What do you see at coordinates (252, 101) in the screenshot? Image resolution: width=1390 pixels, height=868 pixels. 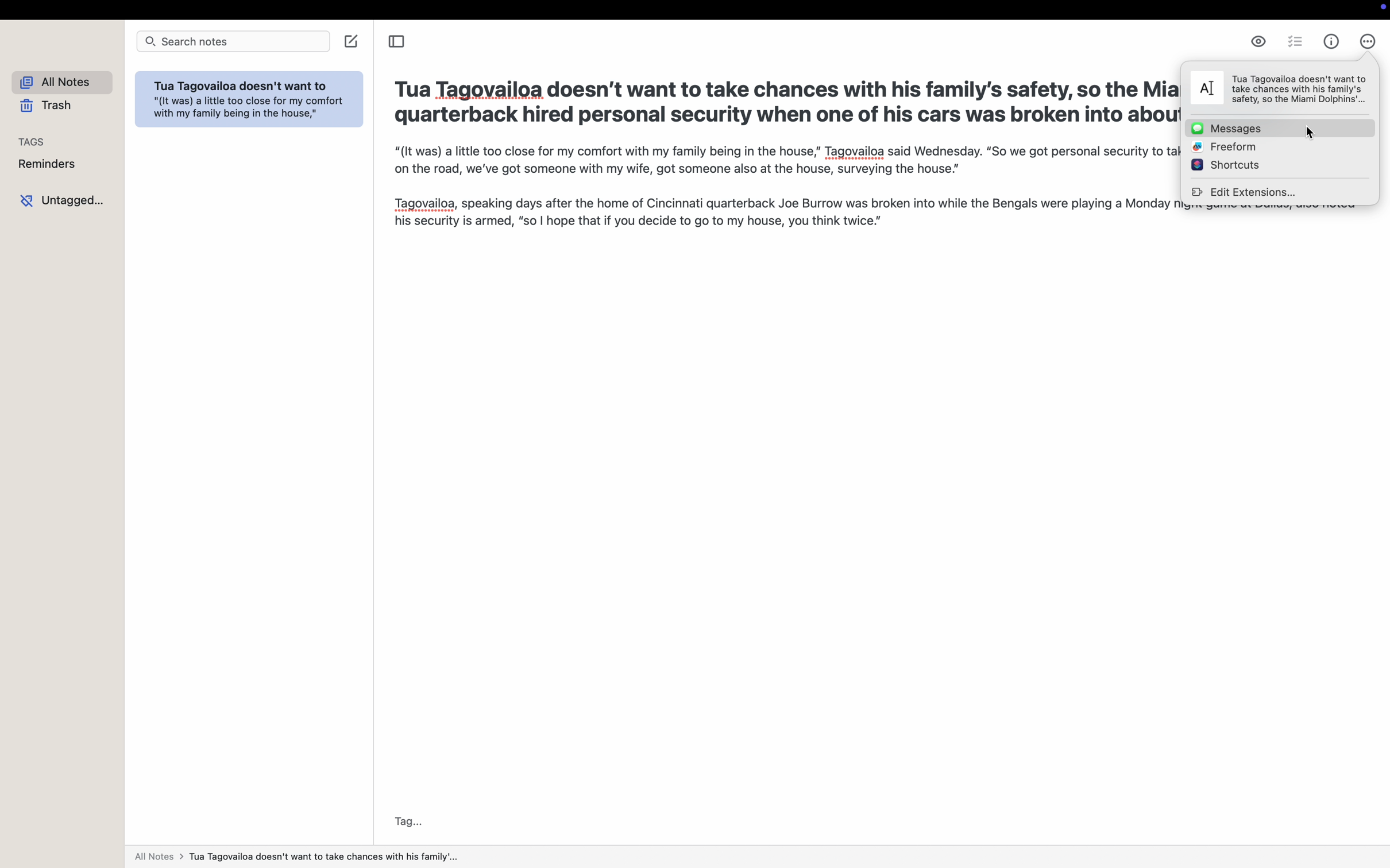 I see `Tua Tagovailoa doesn't want to
"(It was) a little too close for my comfort
with my family being in the house,"` at bounding box center [252, 101].